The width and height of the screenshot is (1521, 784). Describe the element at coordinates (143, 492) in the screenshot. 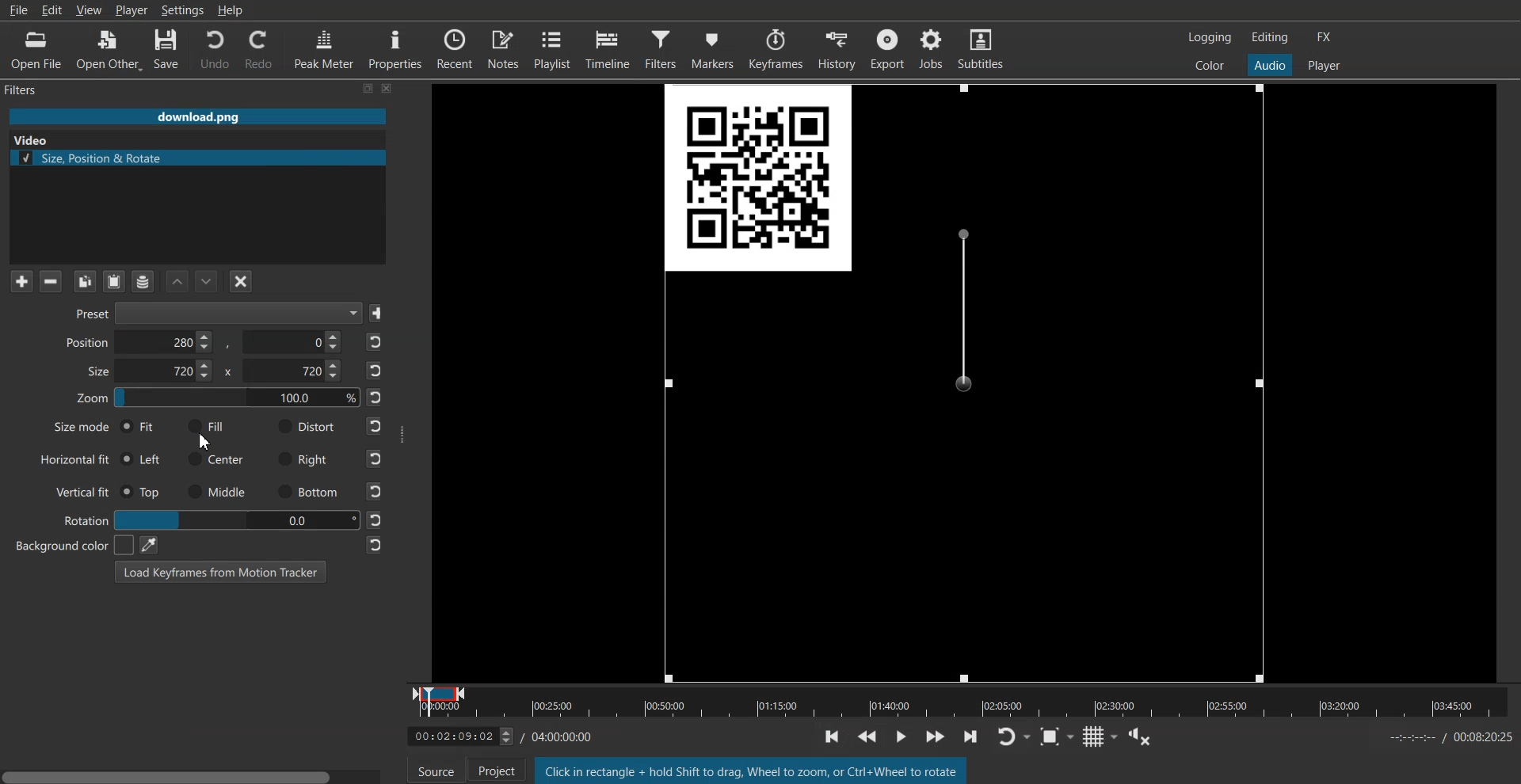

I see `Top` at that location.